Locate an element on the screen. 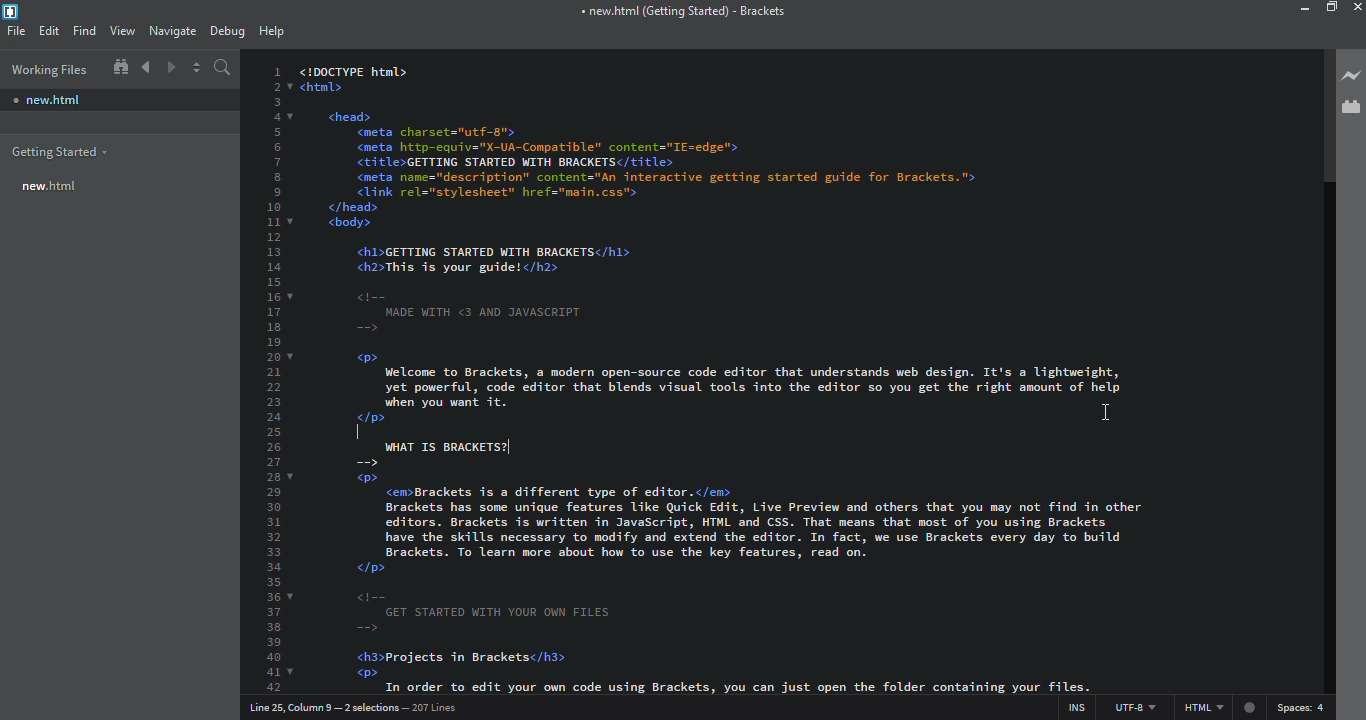 The width and height of the screenshot is (1366, 720). navigate back is located at coordinates (146, 67).